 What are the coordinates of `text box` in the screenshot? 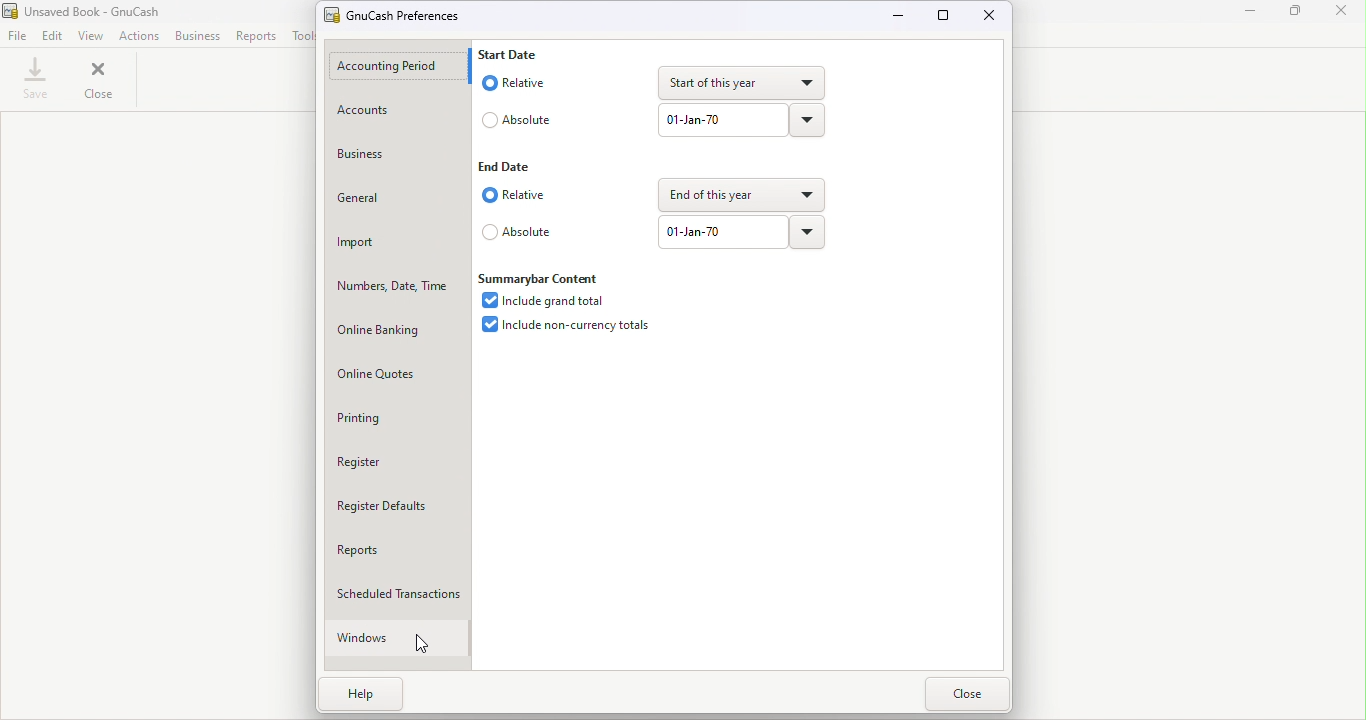 It's located at (720, 122).